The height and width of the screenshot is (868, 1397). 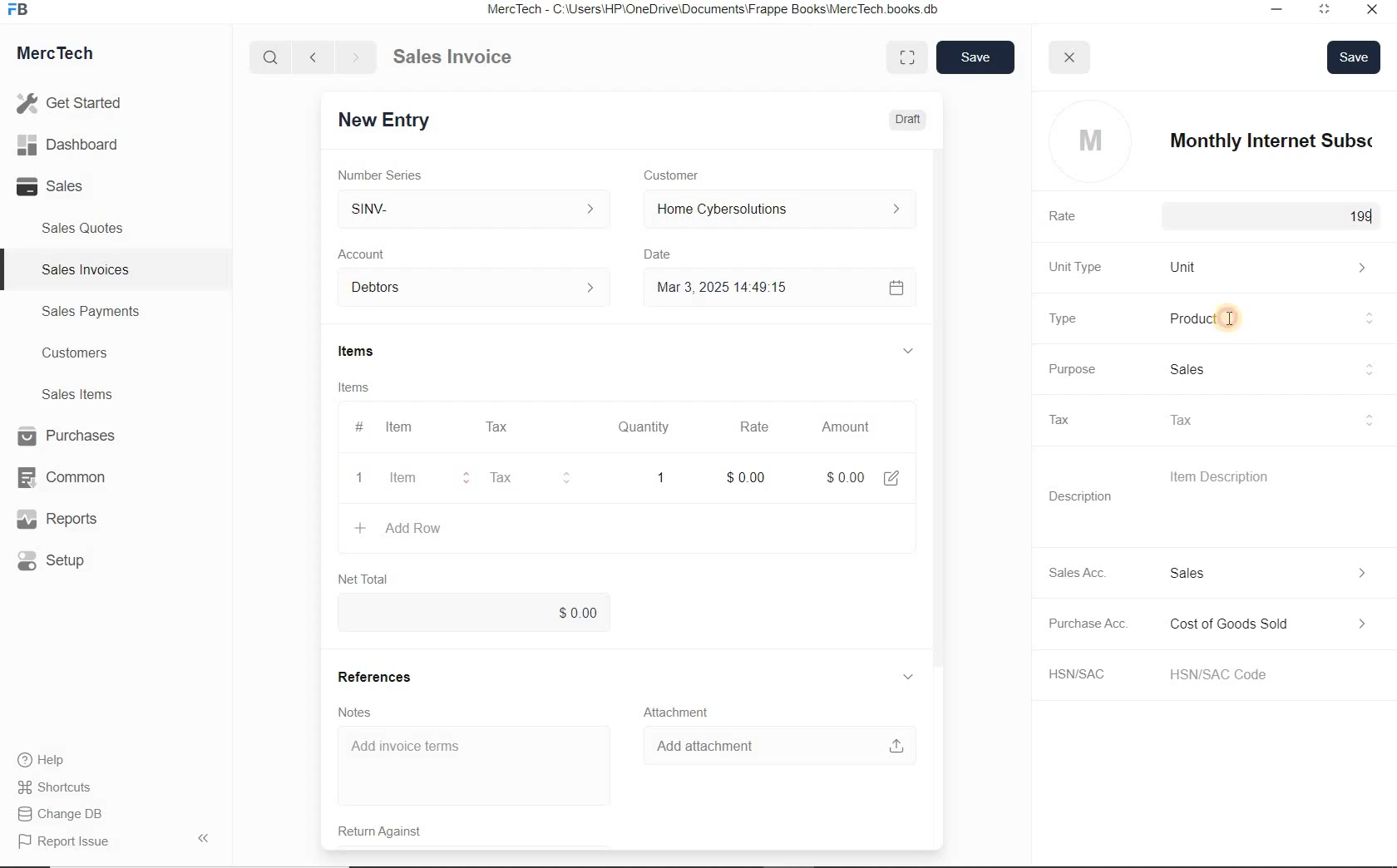 What do you see at coordinates (1234, 673) in the screenshot?
I see `HSN/SAC Code` at bounding box center [1234, 673].